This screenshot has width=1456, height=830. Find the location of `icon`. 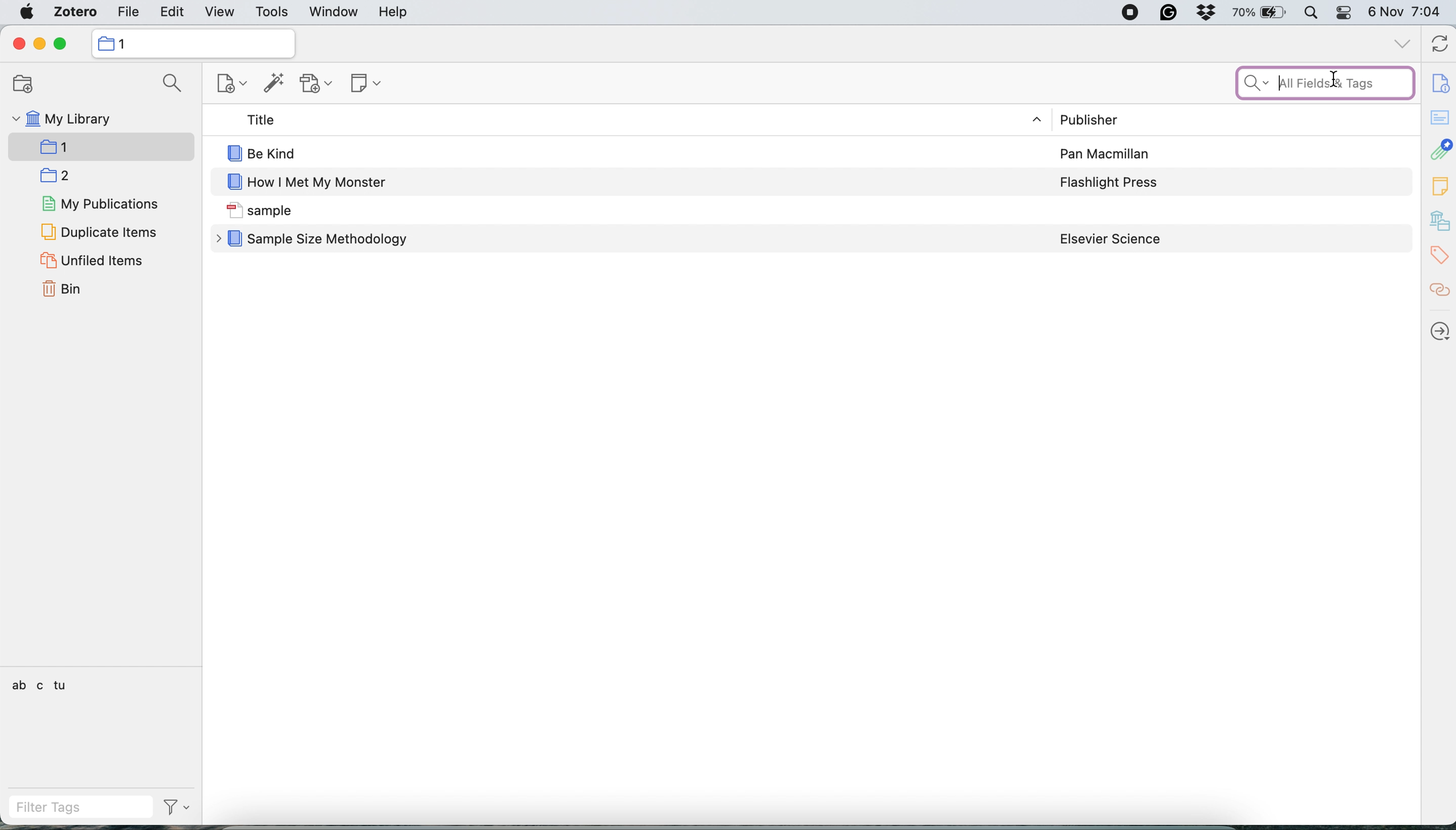

icon is located at coordinates (233, 183).